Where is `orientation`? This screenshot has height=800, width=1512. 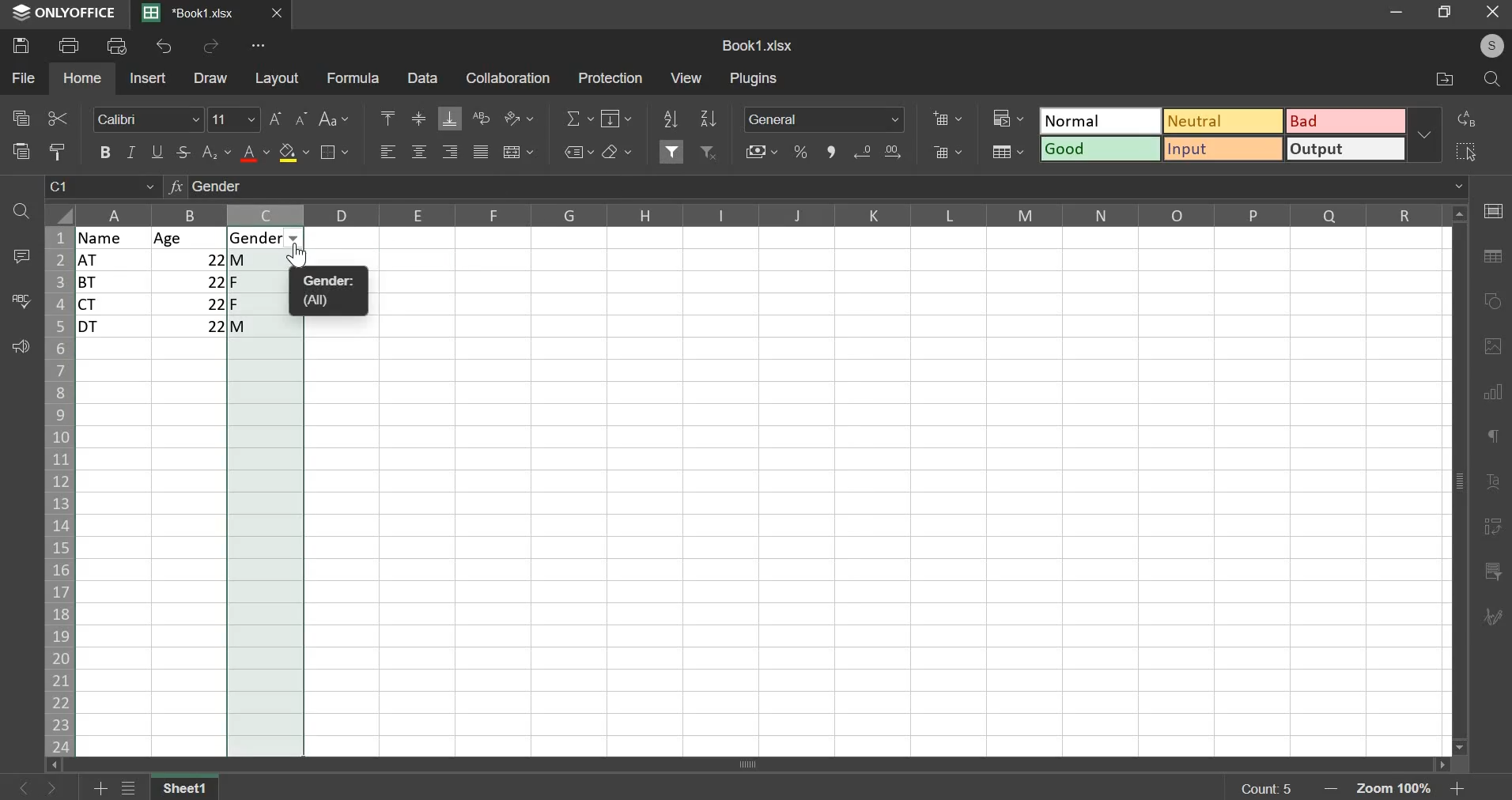 orientation is located at coordinates (519, 118).